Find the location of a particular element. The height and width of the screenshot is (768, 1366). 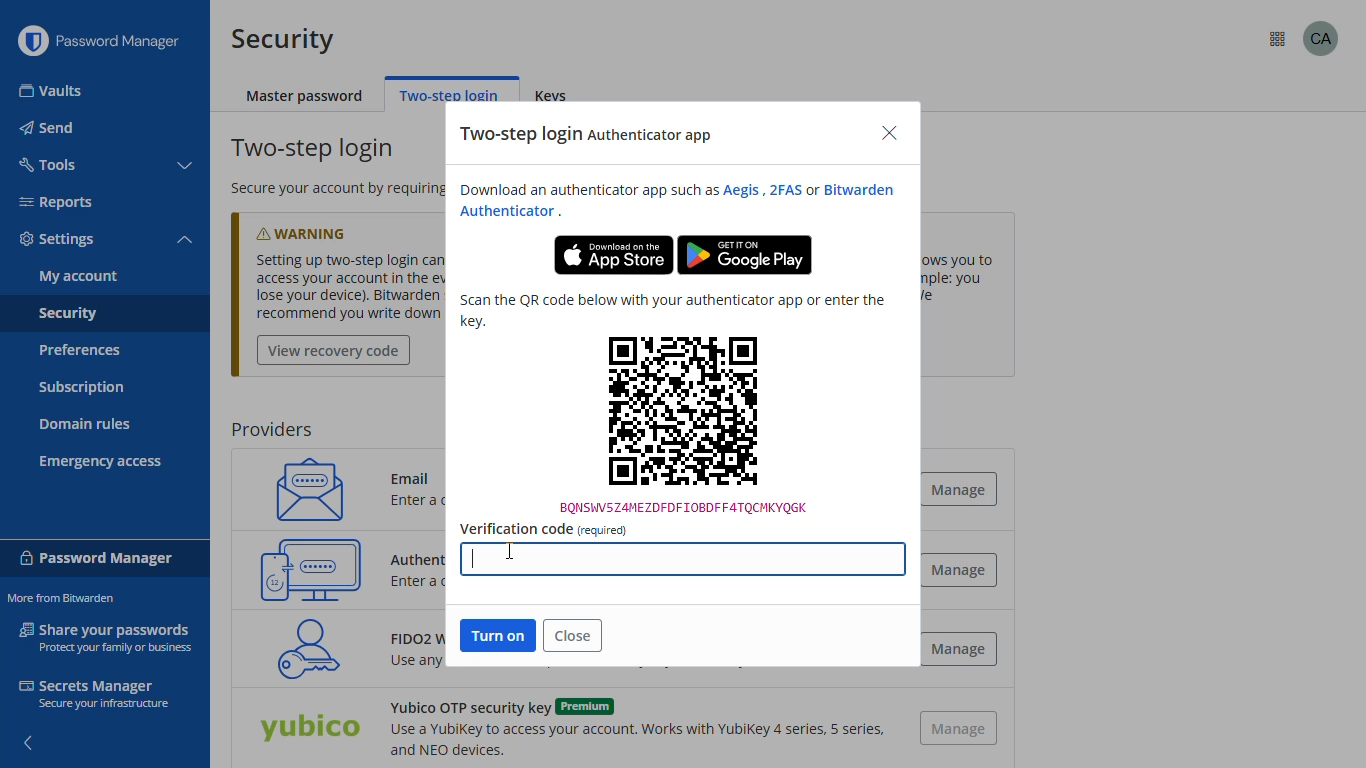

password manager is located at coordinates (97, 556).